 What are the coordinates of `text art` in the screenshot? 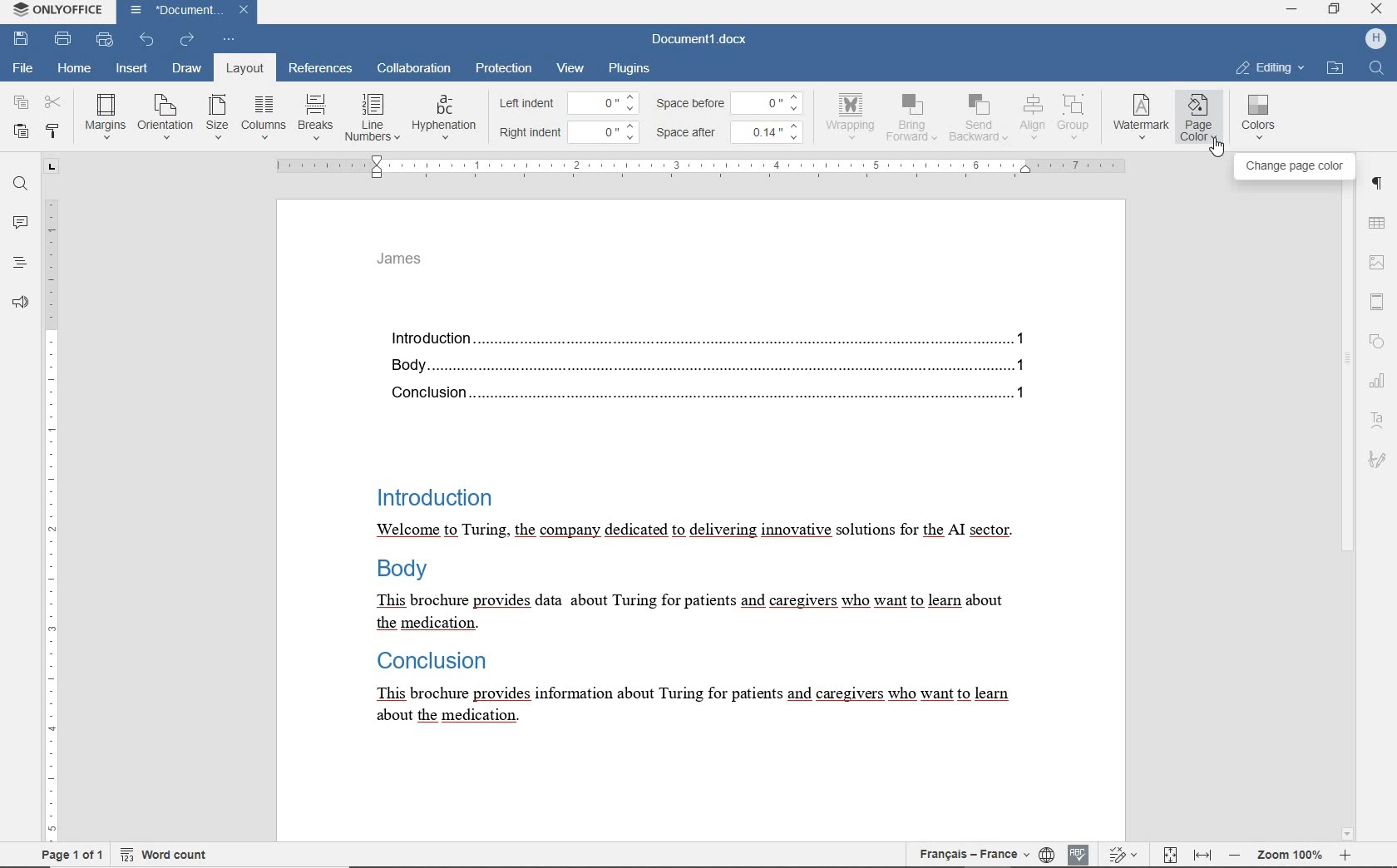 It's located at (1378, 420).